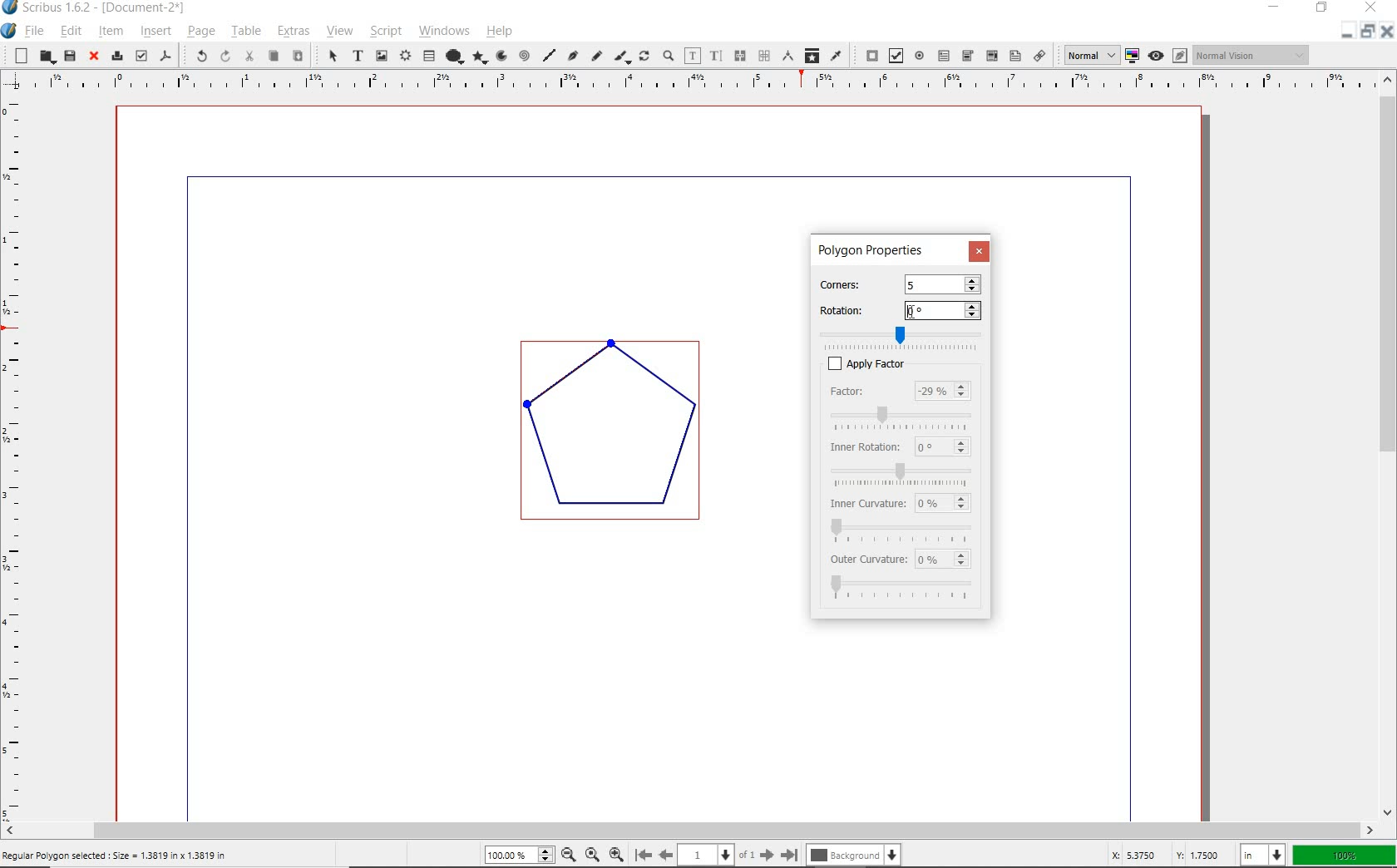 This screenshot has width=1397, height=868. Describe the element at coordinates (979, 250) in the screenshot. I see `CLOSE` at that location.